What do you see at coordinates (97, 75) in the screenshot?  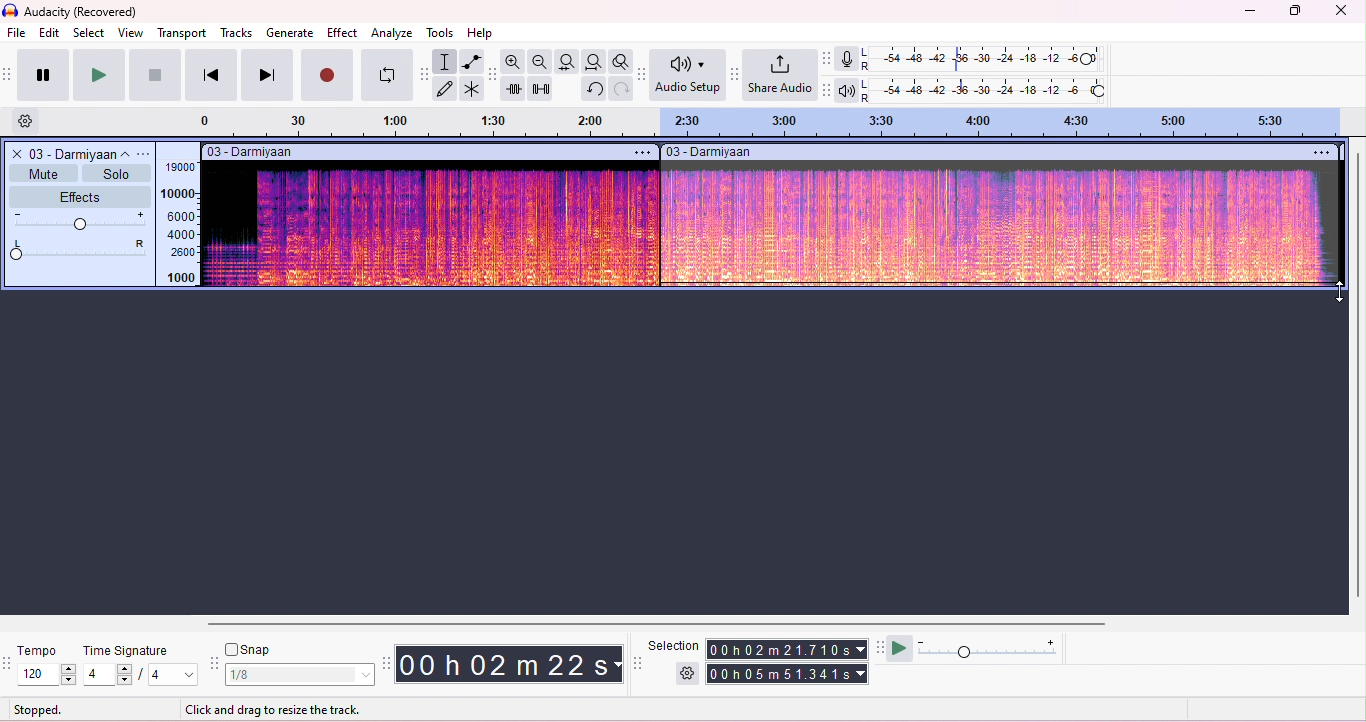 I see `play` at bounding box center [97, 75].